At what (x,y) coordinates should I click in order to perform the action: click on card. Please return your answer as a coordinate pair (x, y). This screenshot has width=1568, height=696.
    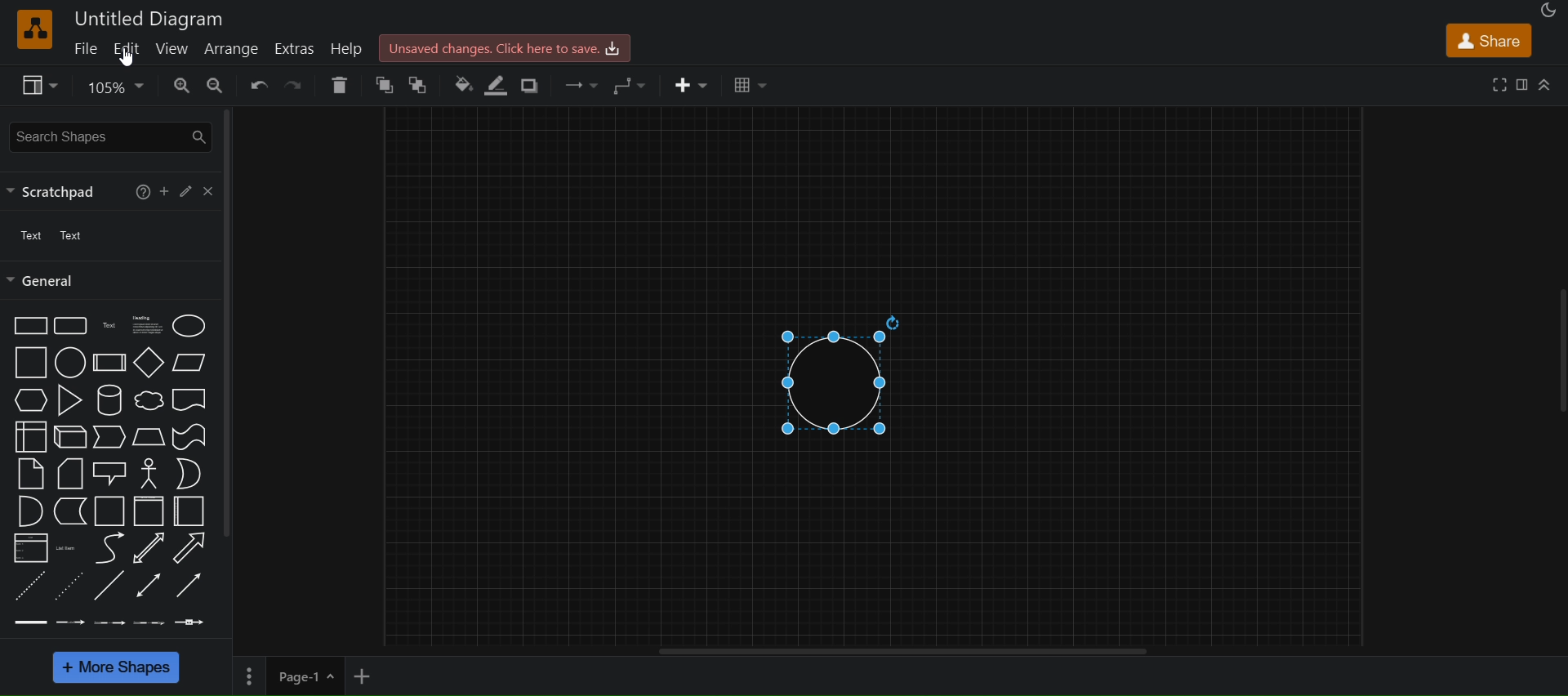
    Looking at the image, I should click on (66, 474).